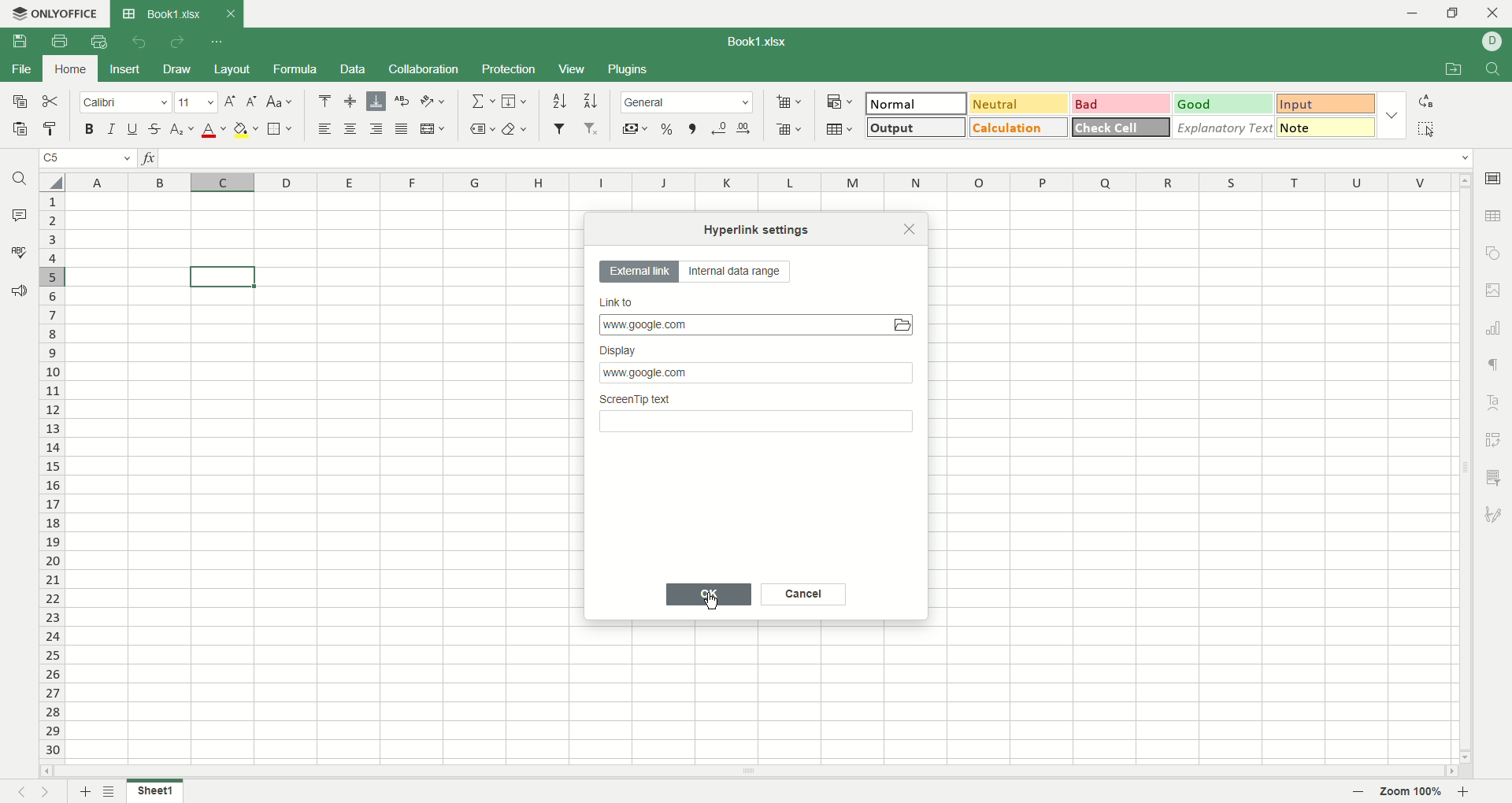  I want to click on summation, so click(481, 102).